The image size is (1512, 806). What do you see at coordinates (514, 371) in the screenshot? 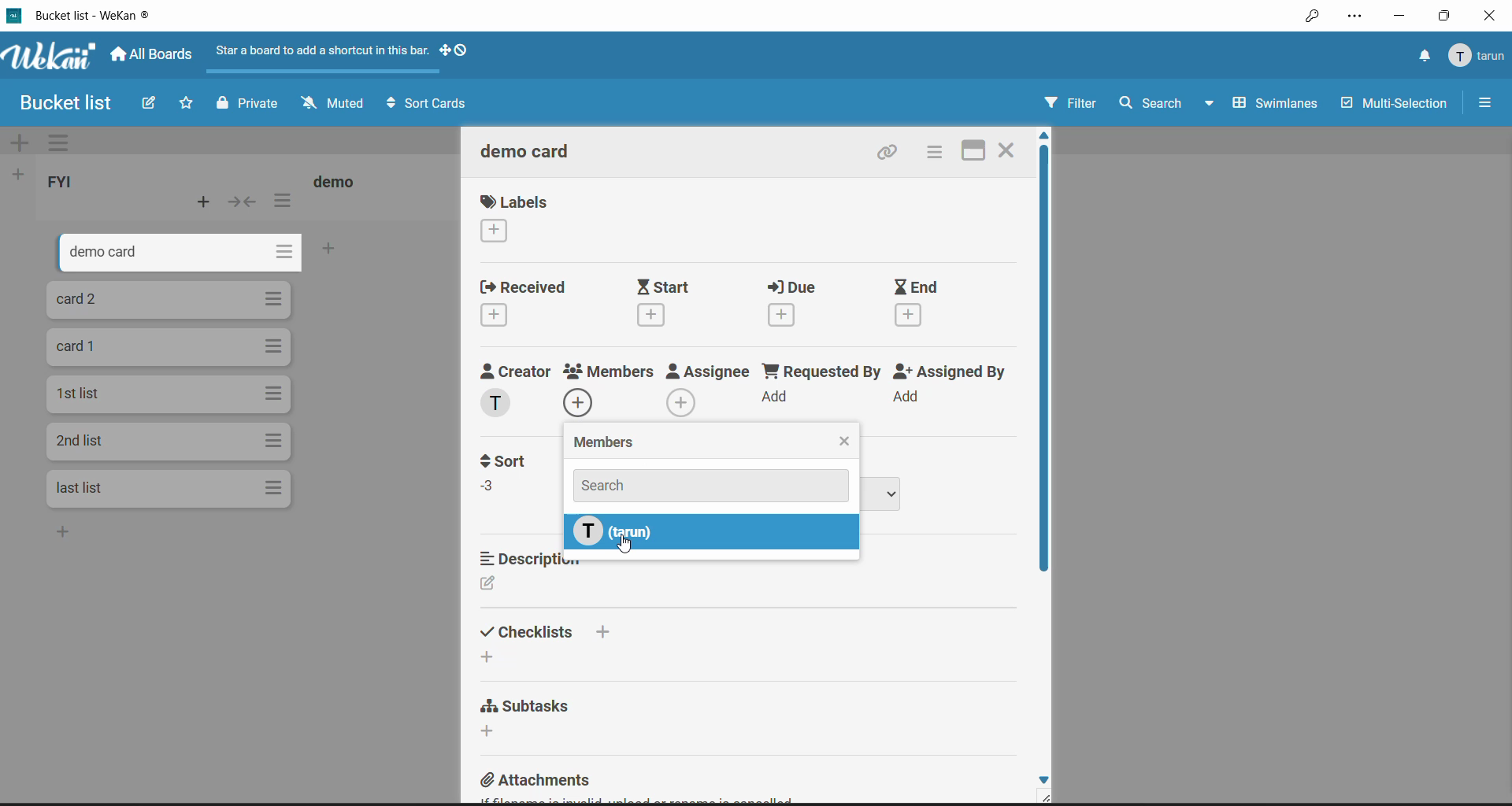
I see `creator` at bounding box center [514, 371].